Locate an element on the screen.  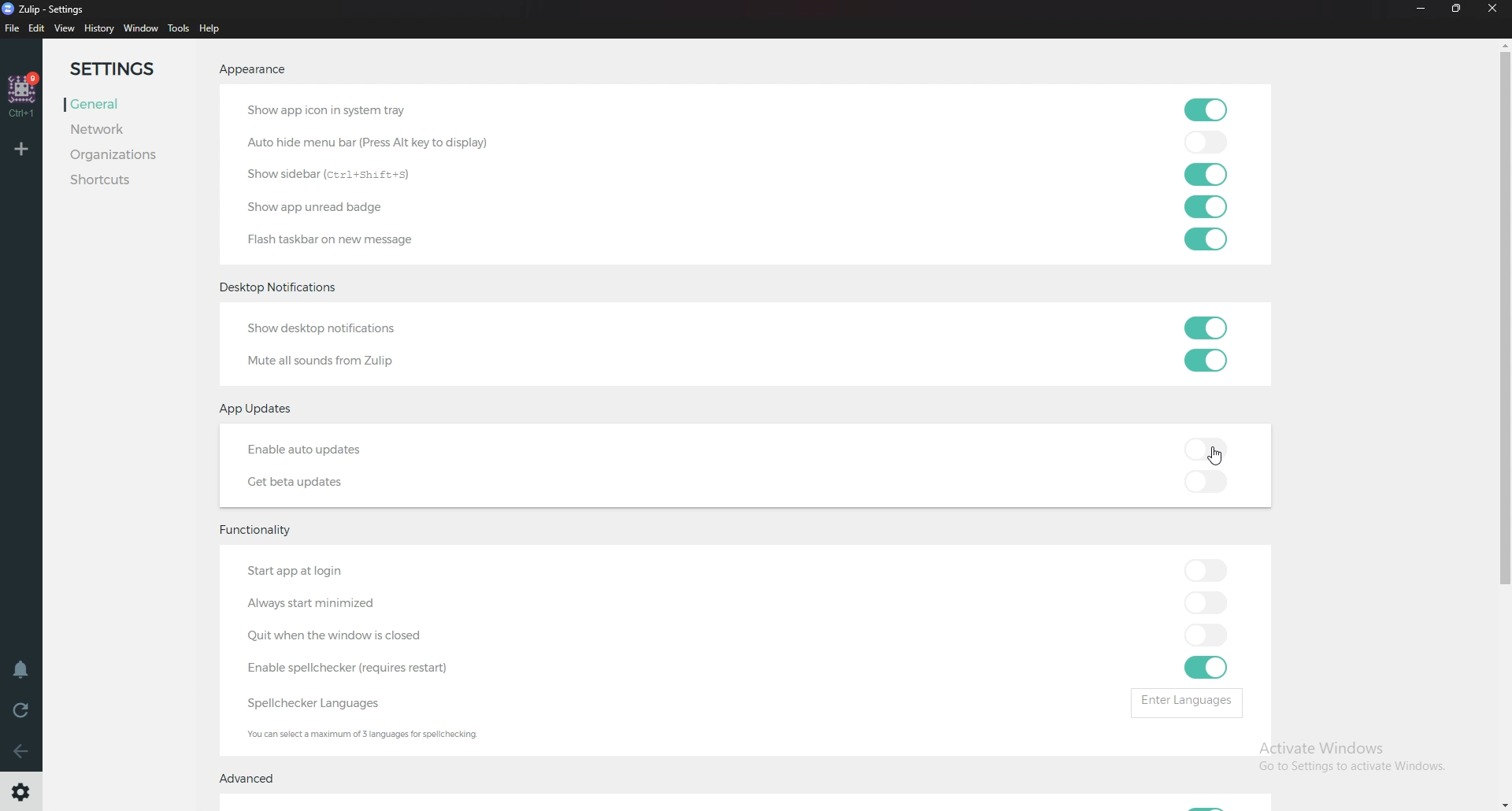
toggle is located at coordinates (1206, 239).